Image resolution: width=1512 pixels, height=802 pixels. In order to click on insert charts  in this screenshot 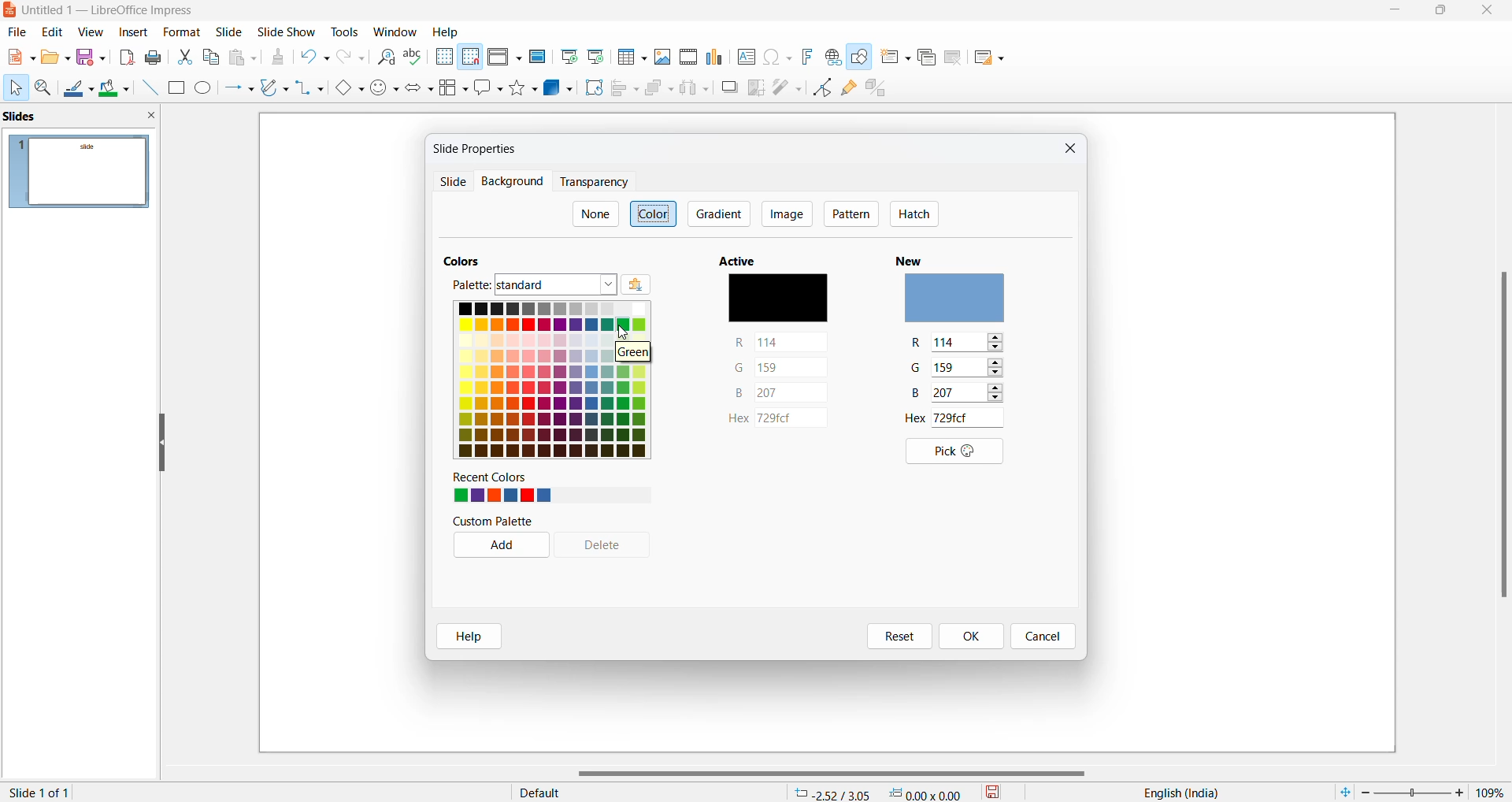, I will do `click(716, 57)`.